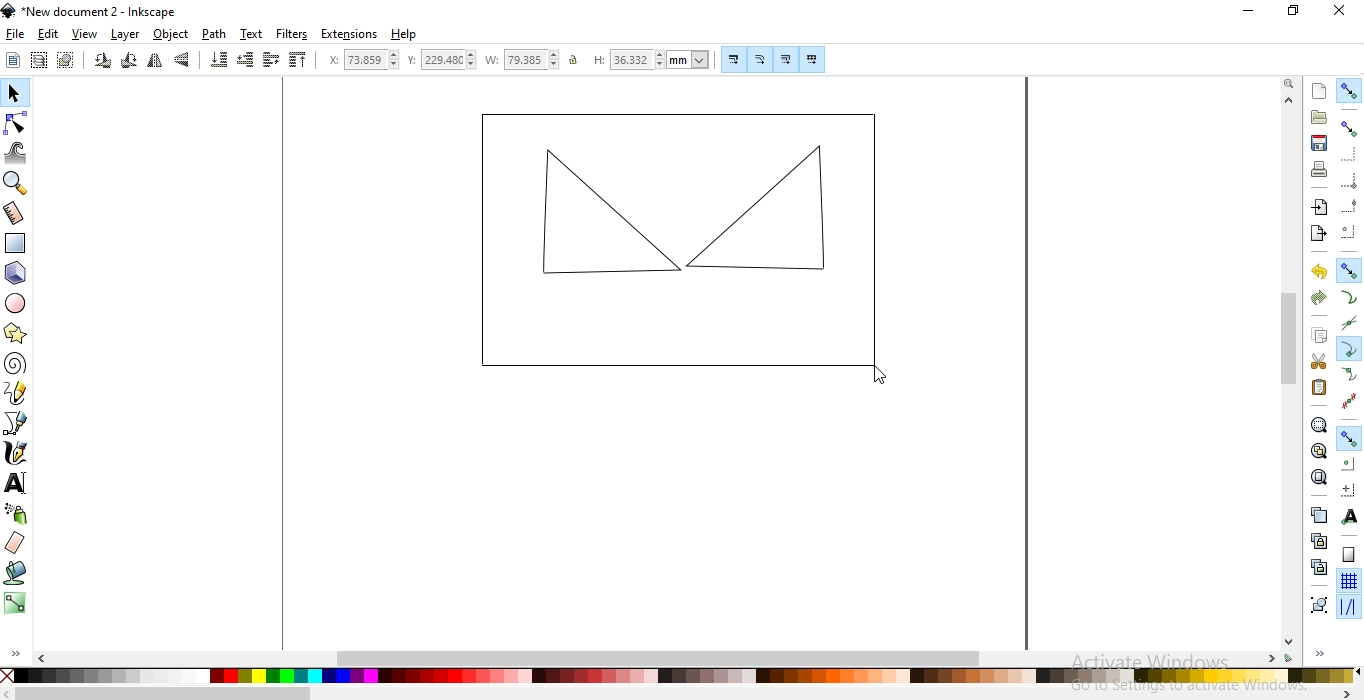  I want to click on zoom to fit page, so click(1319, 477).